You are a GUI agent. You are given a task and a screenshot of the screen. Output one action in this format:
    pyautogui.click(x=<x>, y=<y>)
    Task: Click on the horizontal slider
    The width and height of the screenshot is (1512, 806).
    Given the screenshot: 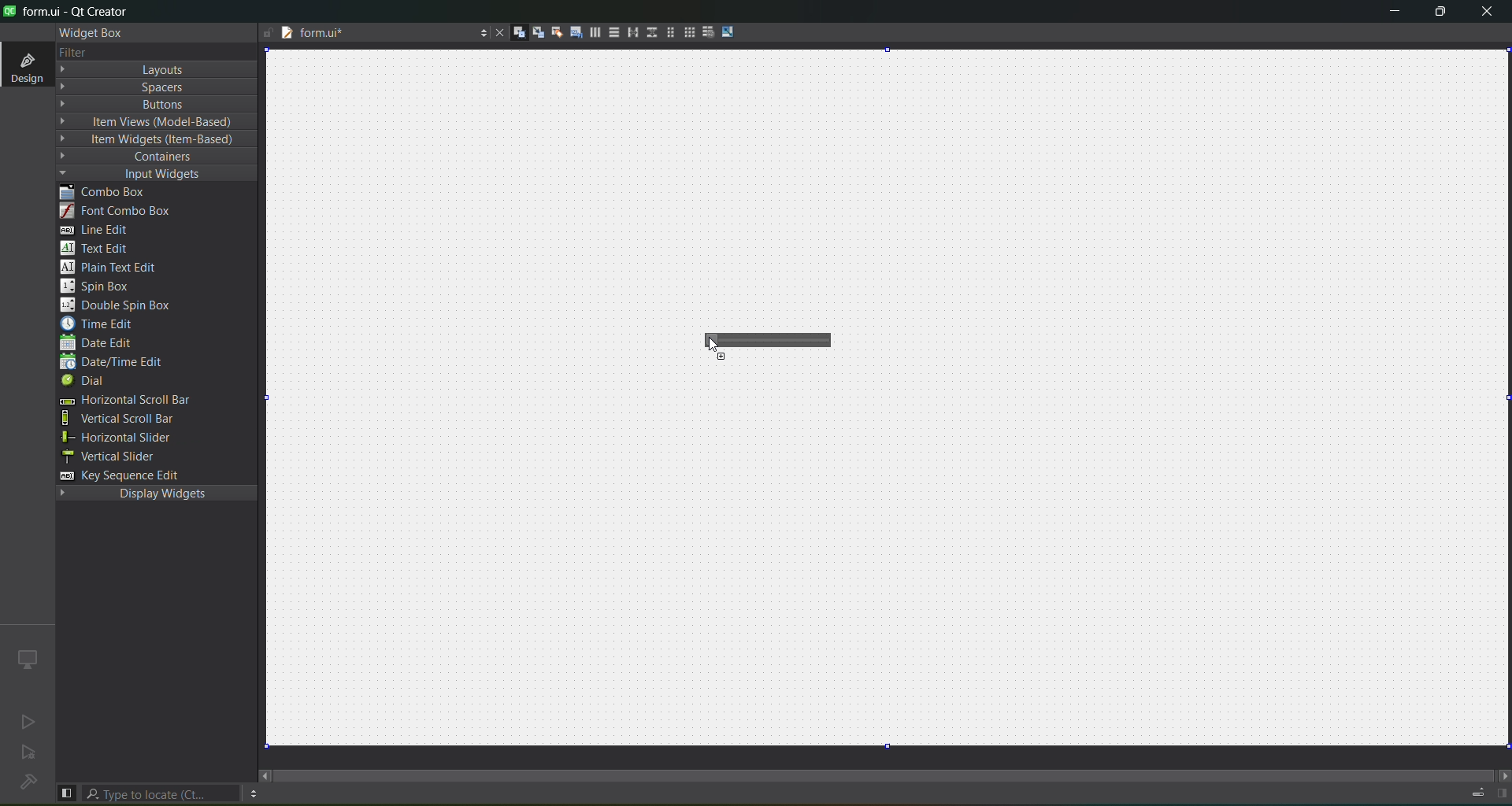 What is the action you would take?
    pyautogui.click(x=123, y=439)
    